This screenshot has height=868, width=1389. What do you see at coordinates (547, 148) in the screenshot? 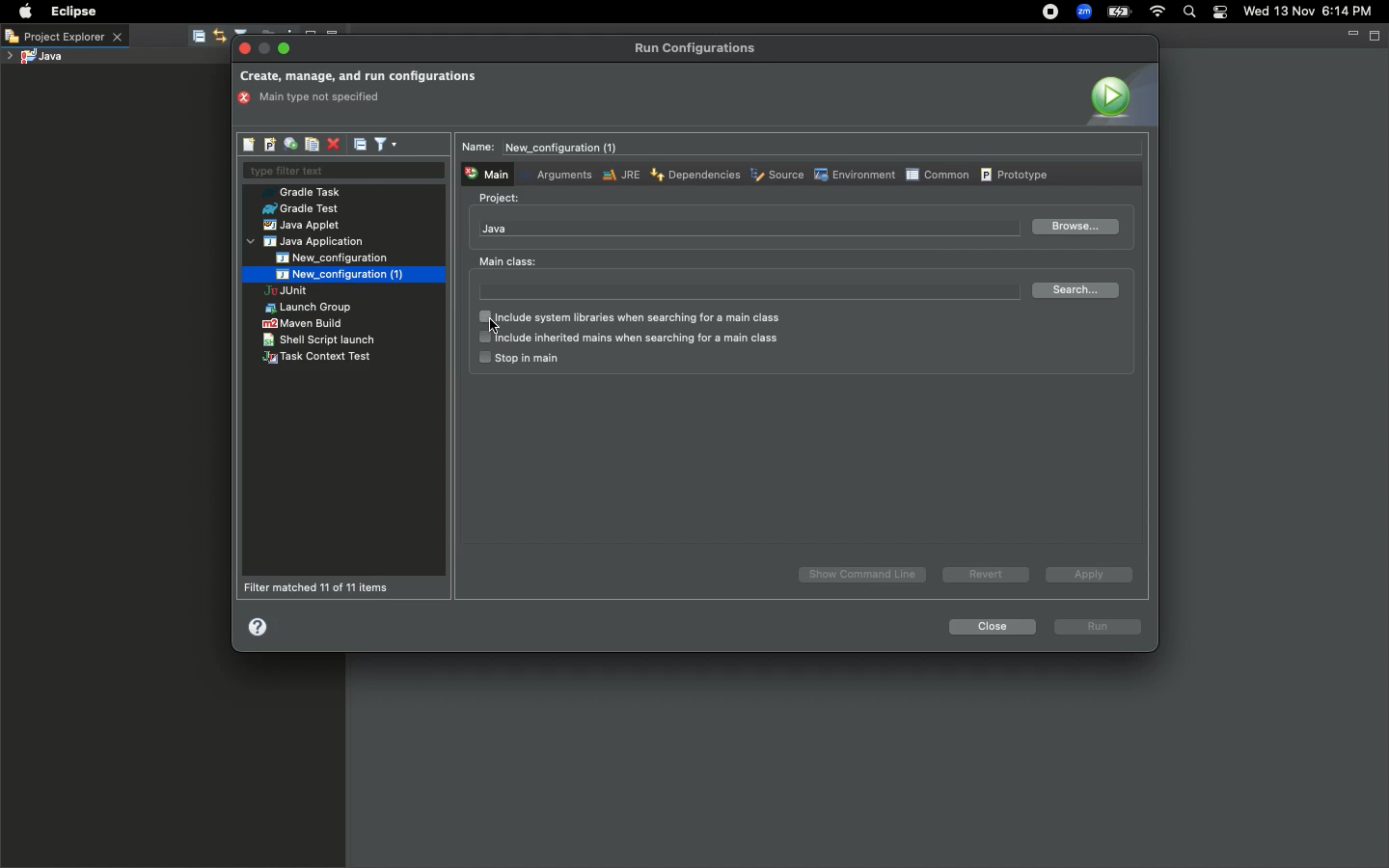
I see `Name: New_configuration_(1)` at bounding box center [547, 148].